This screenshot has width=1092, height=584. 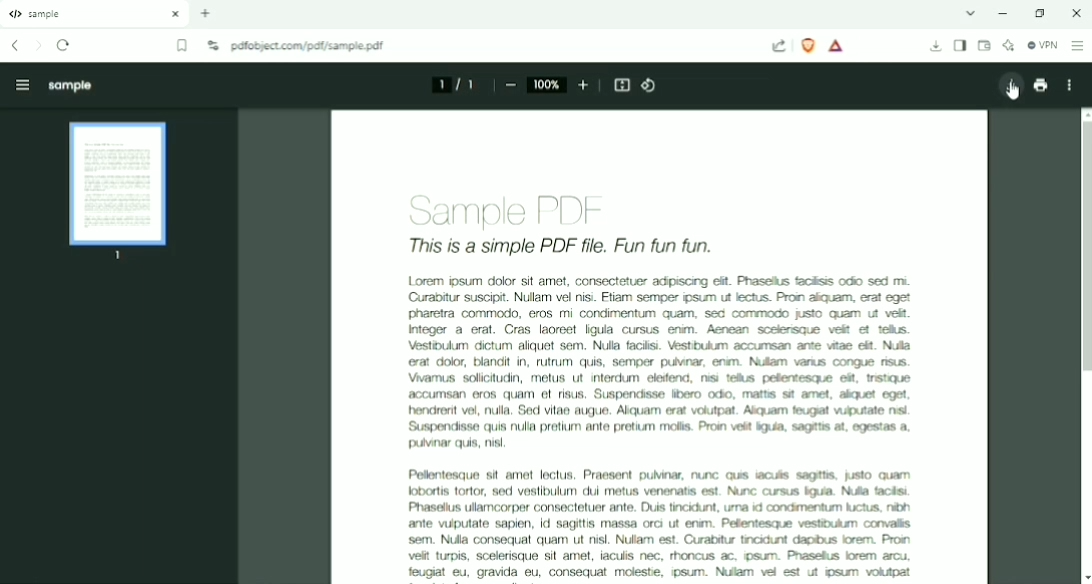 I want to click on More actions, so click(x=1067, y=85).